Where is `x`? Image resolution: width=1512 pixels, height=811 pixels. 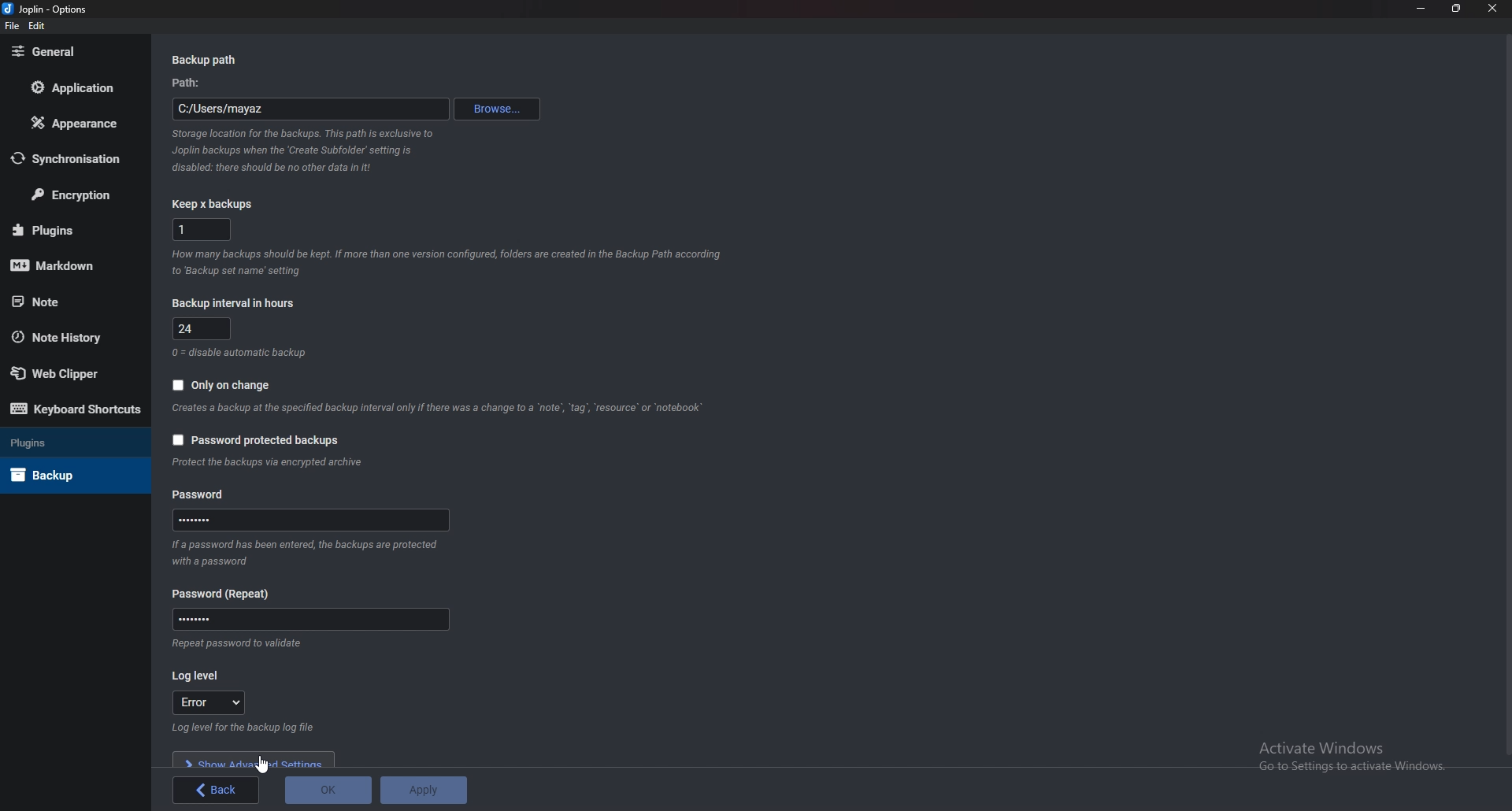 x is located at coordinates (202, 228).